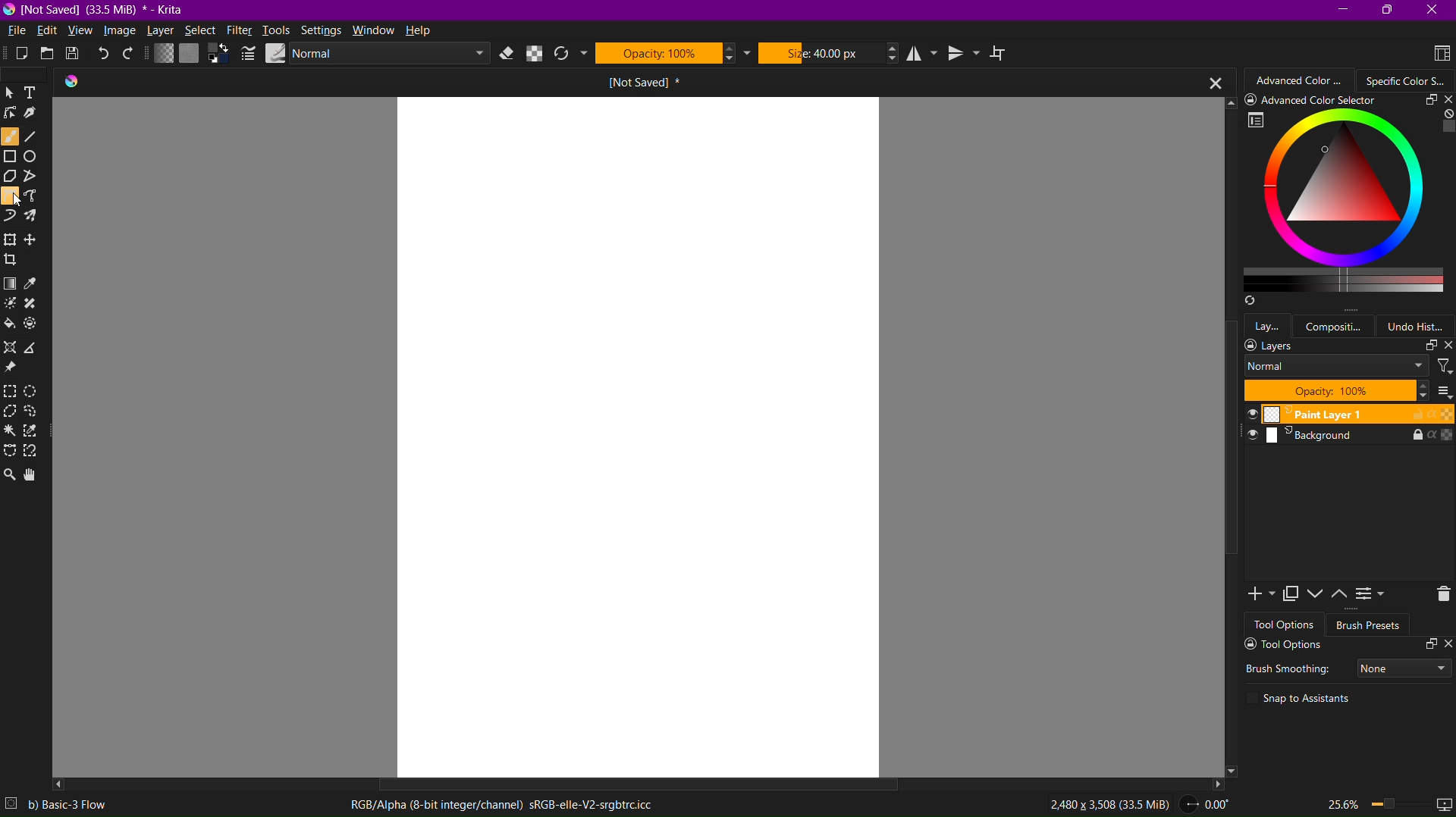 The width and height of the screenshot is (1456, 817). I want to click on Down, so click(1235, 773).